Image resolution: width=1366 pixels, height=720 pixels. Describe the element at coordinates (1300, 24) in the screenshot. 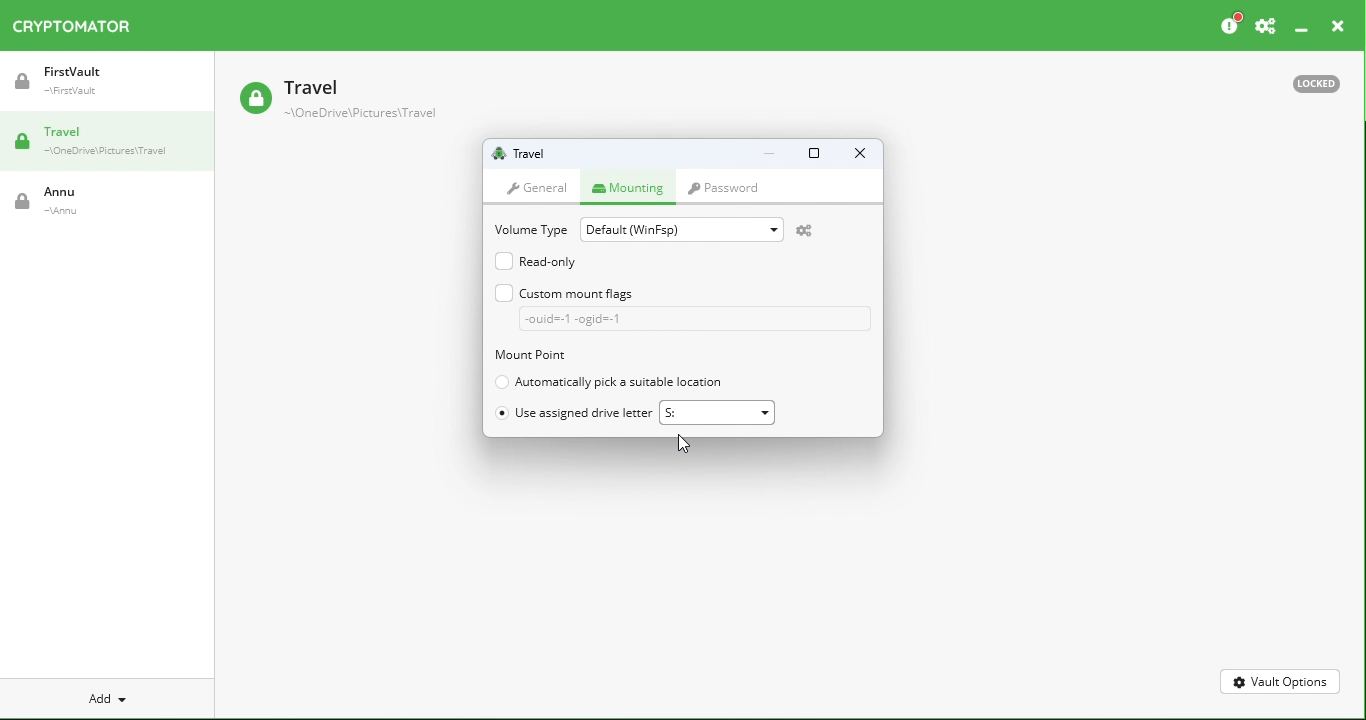

I see `Minimize` at that location.